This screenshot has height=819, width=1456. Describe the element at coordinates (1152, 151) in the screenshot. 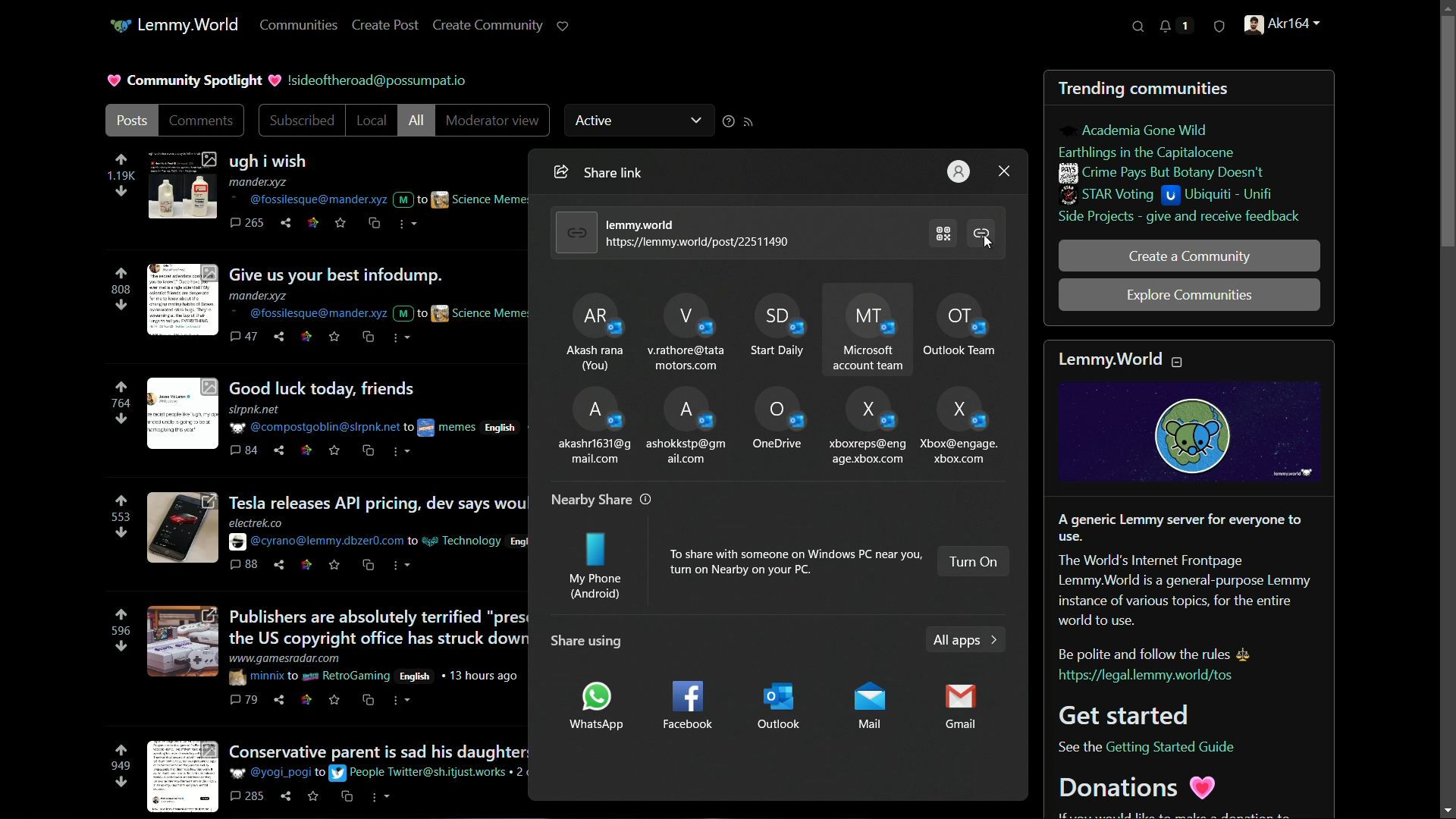

I see `earthlings in the capitalocene` at that location.